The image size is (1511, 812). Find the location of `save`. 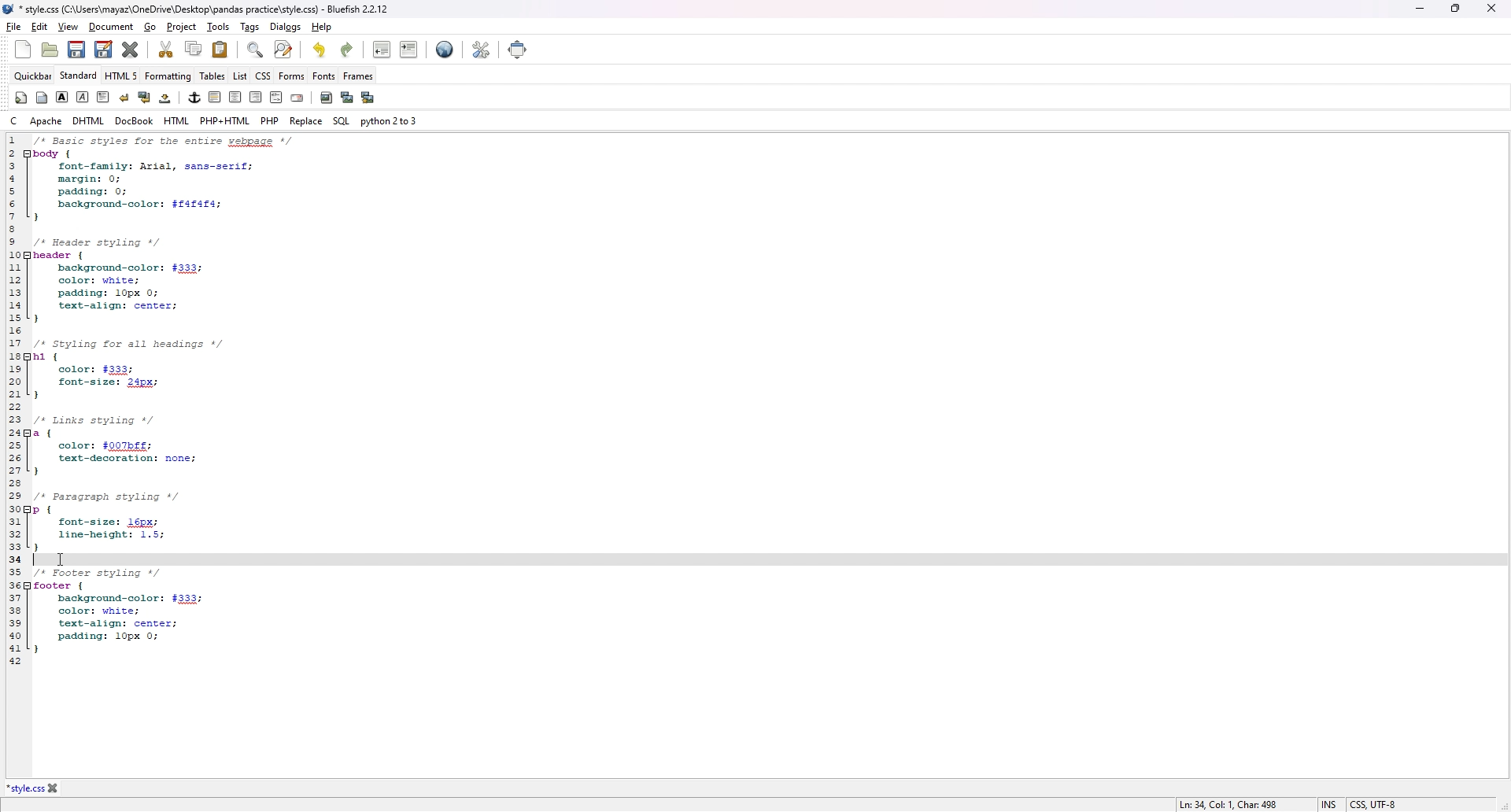

save is located at coordinates (76, 50).